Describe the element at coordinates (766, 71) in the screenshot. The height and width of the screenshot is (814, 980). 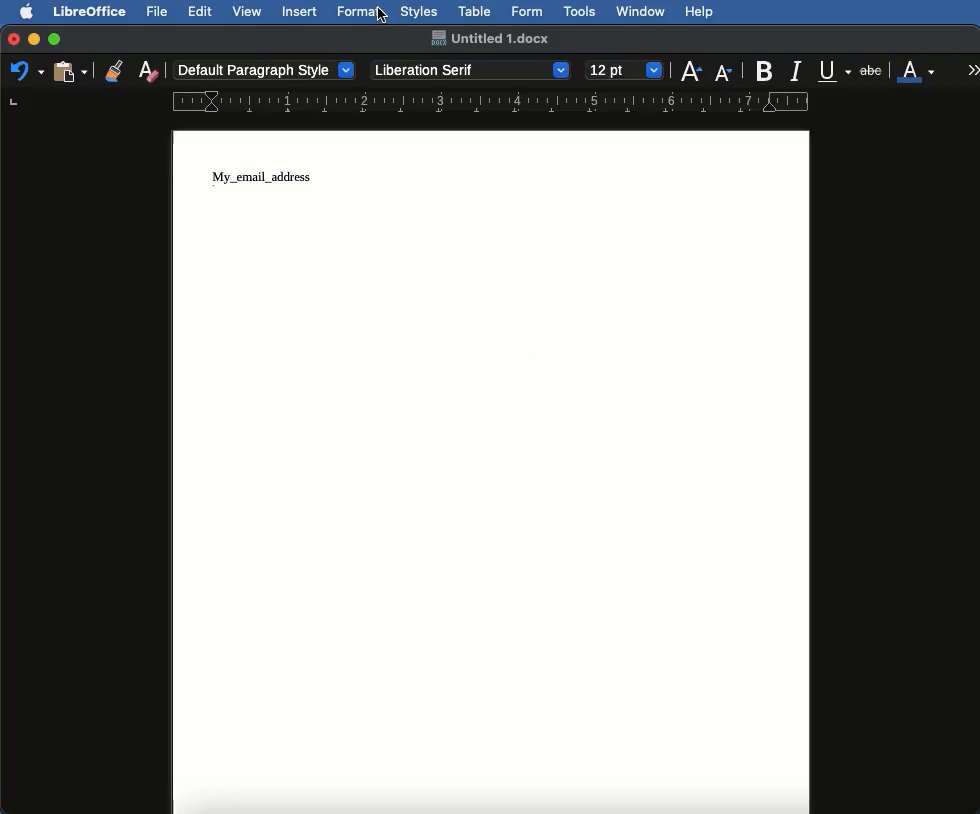
I see `Bold` at that location.